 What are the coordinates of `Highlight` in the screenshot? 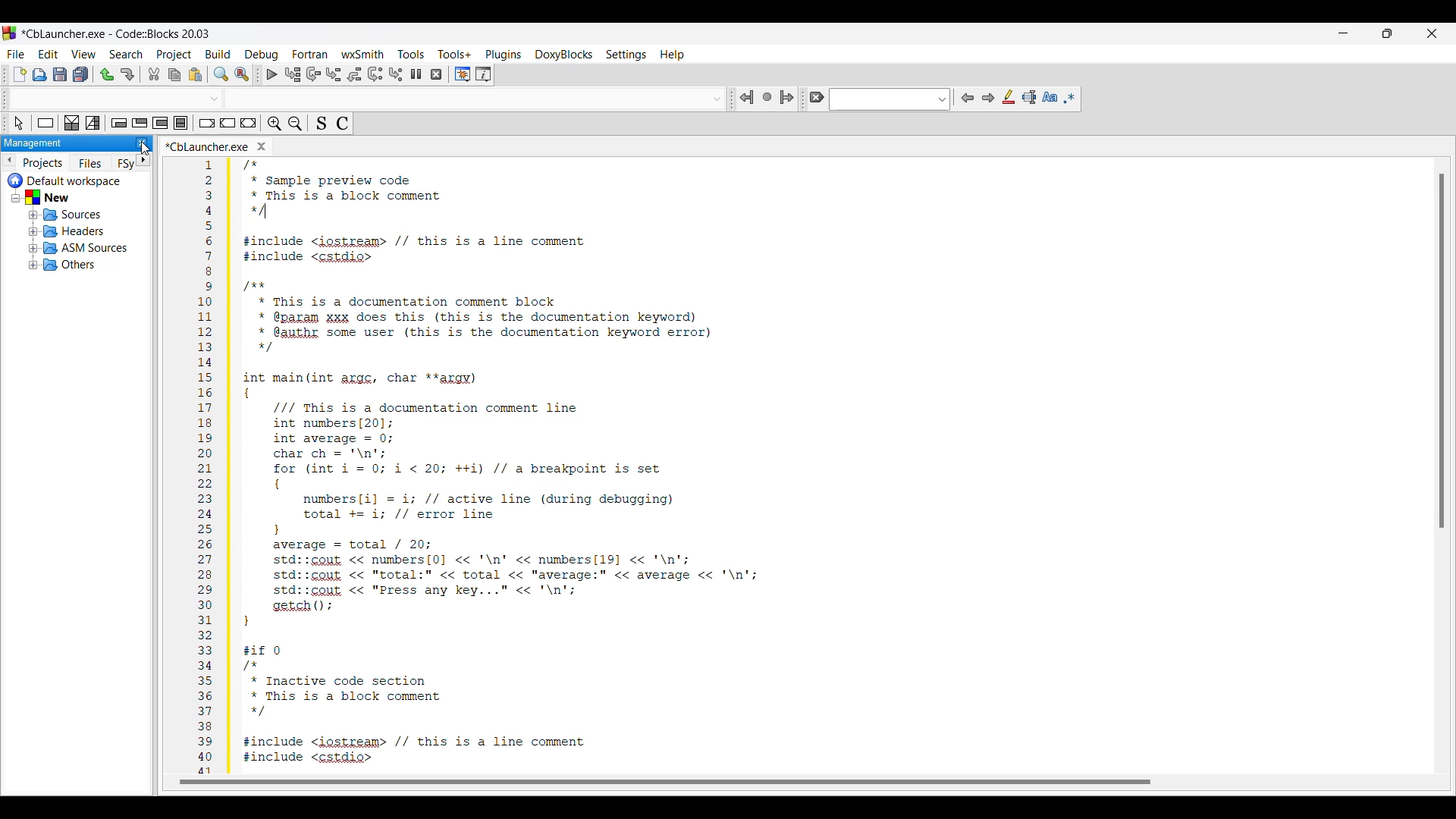 It's located at (1009, 97).